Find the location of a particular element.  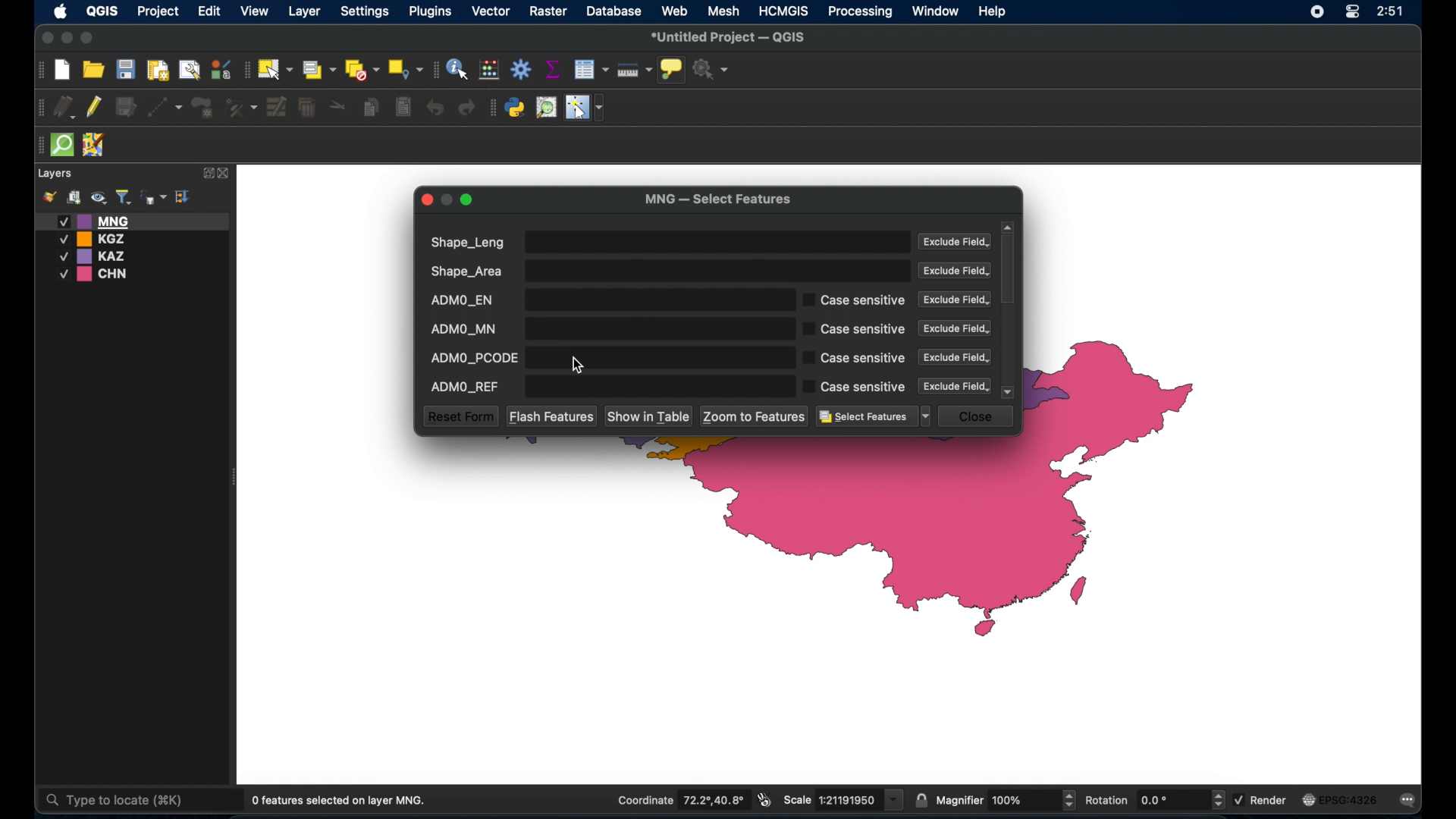

filter legend by expression is located at coordinates (154, 196).